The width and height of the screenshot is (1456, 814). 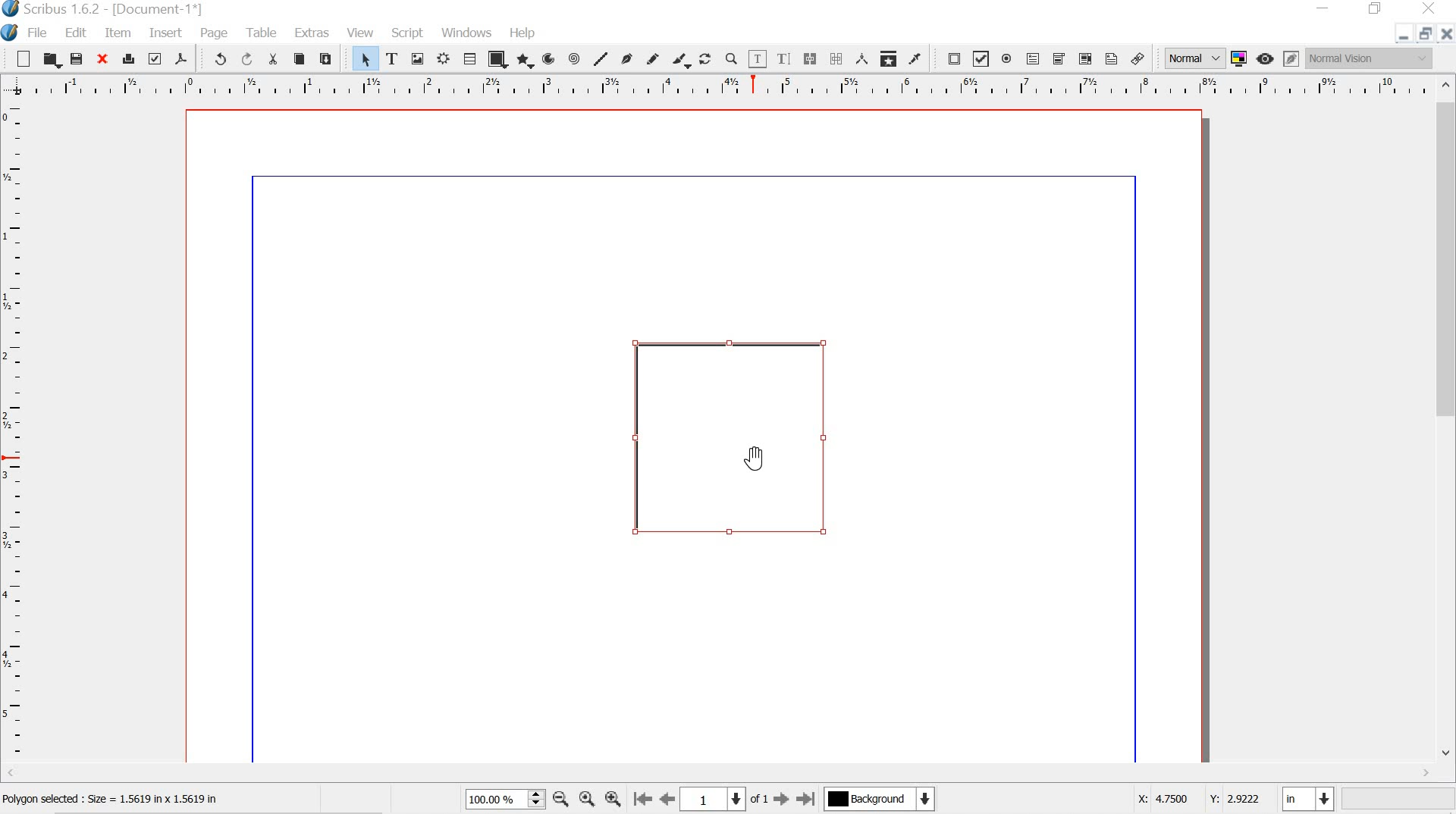 I want to click on pdf check box, so click(x=981, y=58).